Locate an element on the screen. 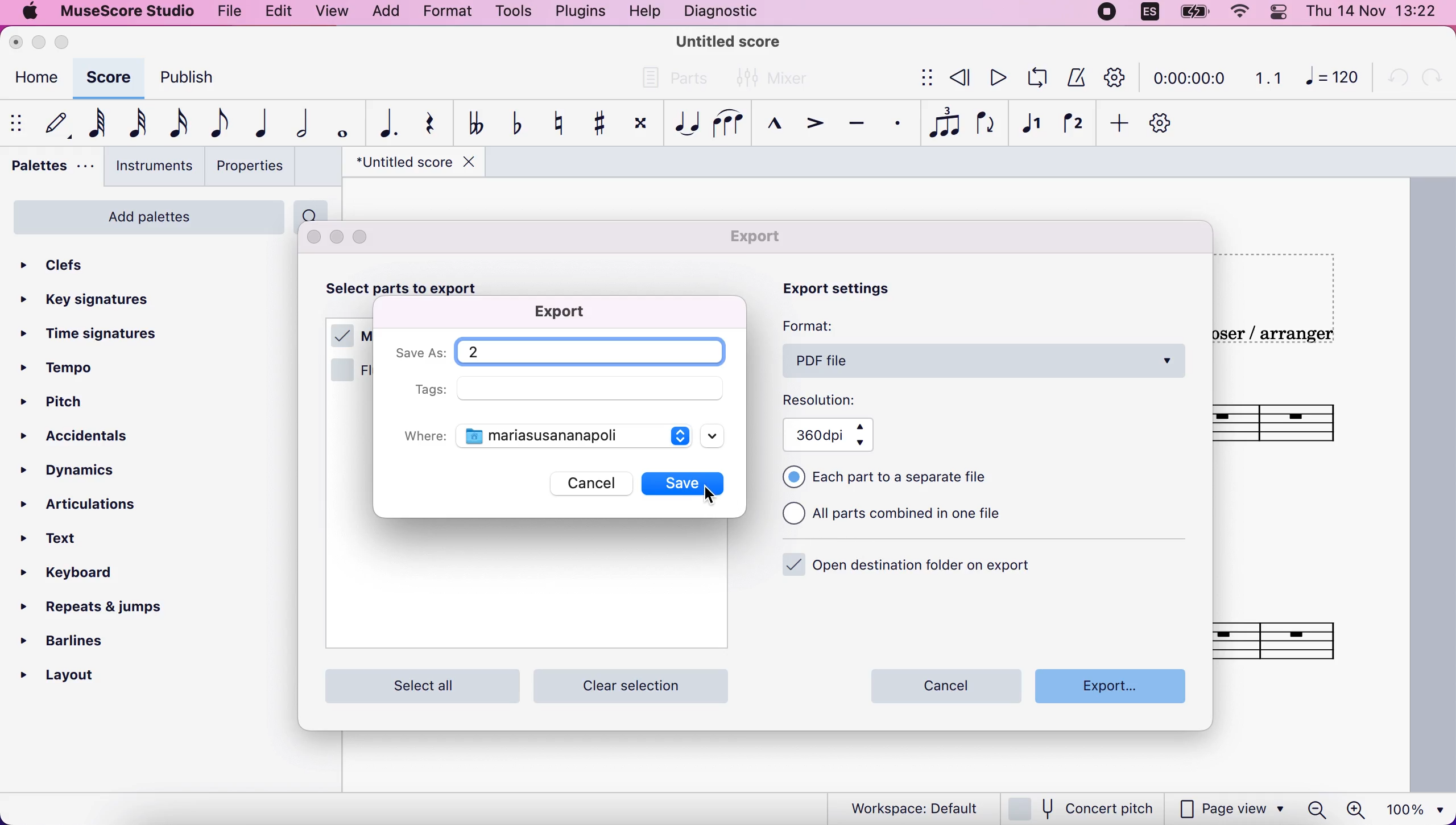 The image size is (1456, 825). title is located at coordinates (414, 164).